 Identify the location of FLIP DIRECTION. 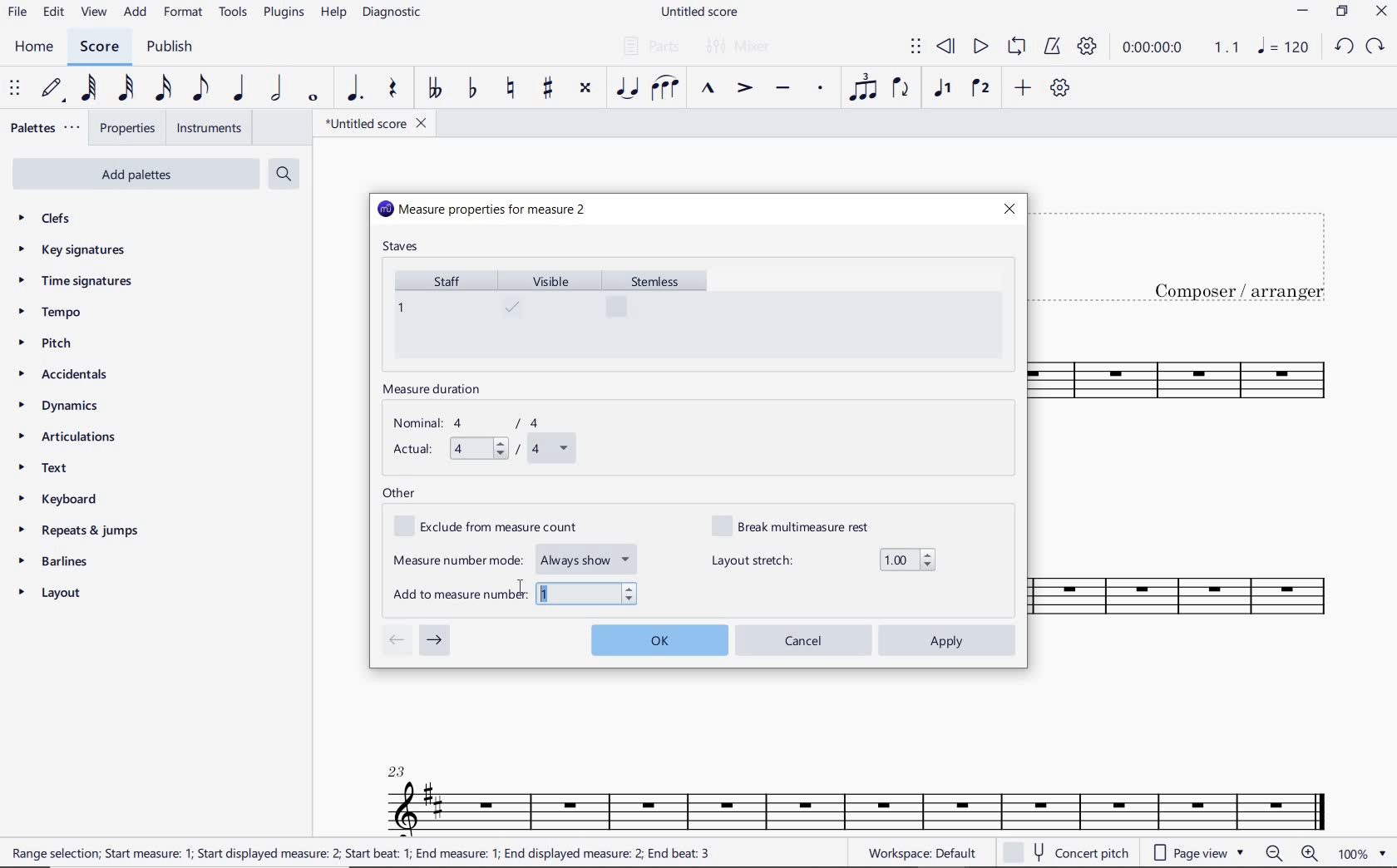
(901, 90).